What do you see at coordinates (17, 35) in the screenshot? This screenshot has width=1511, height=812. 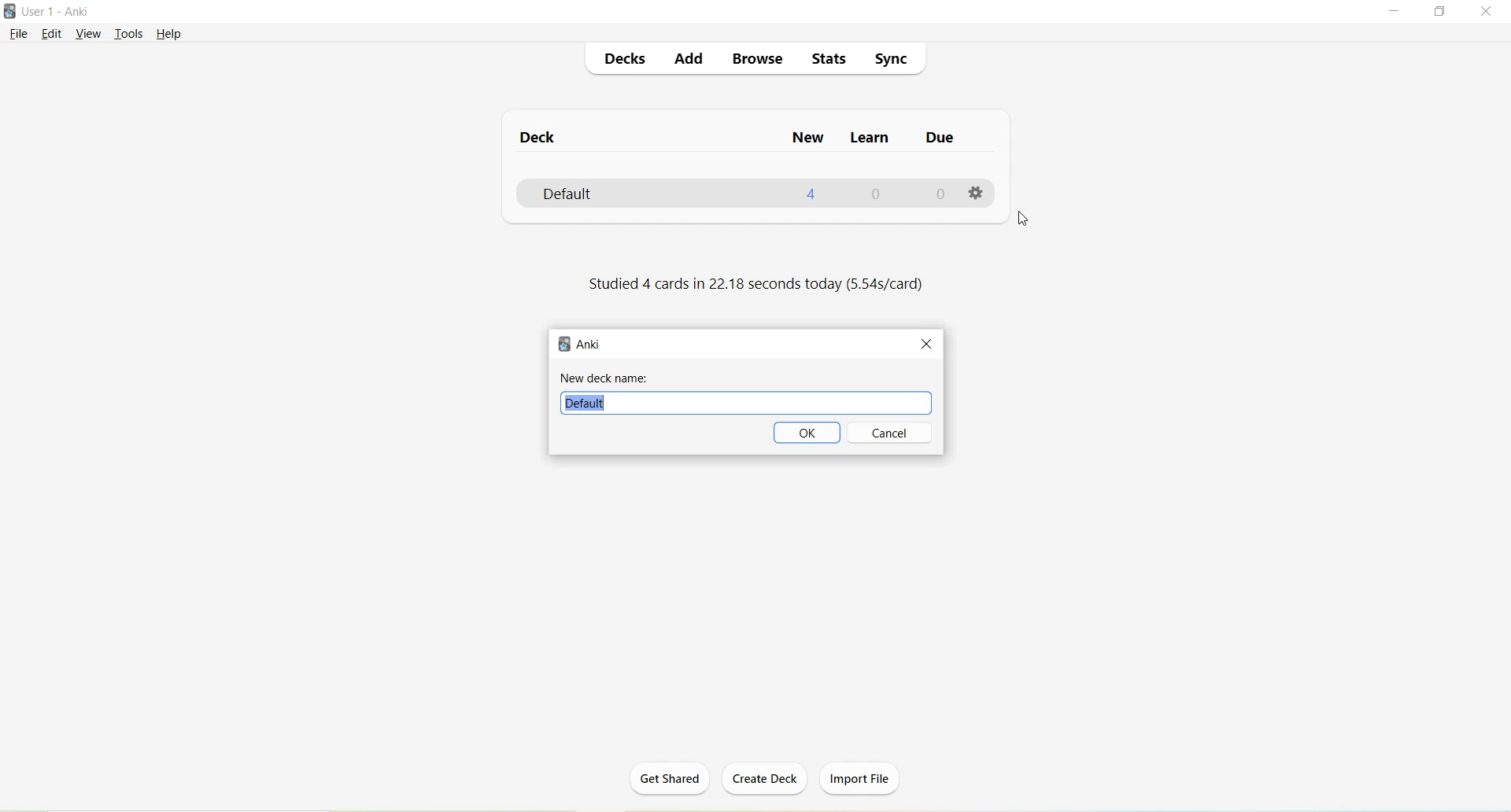 I see `File` at bounding box center [17, 35].